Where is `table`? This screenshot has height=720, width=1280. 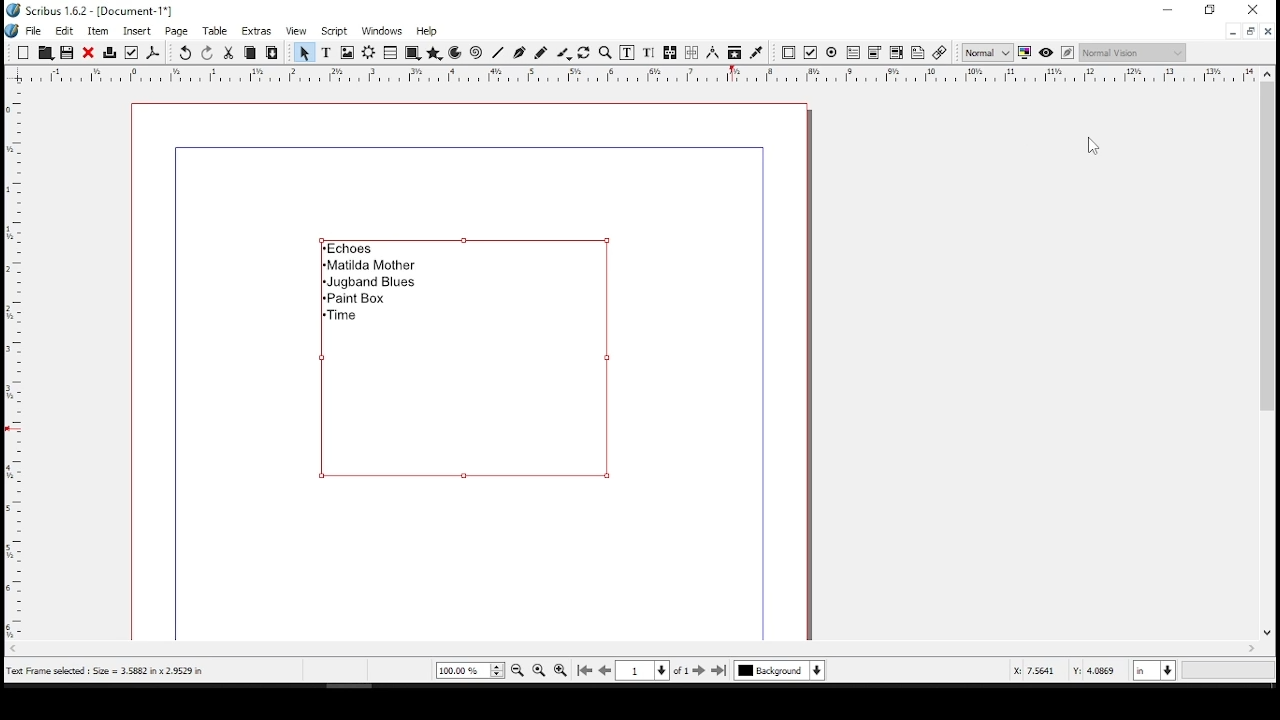
table is located at coordinates (218, 31).